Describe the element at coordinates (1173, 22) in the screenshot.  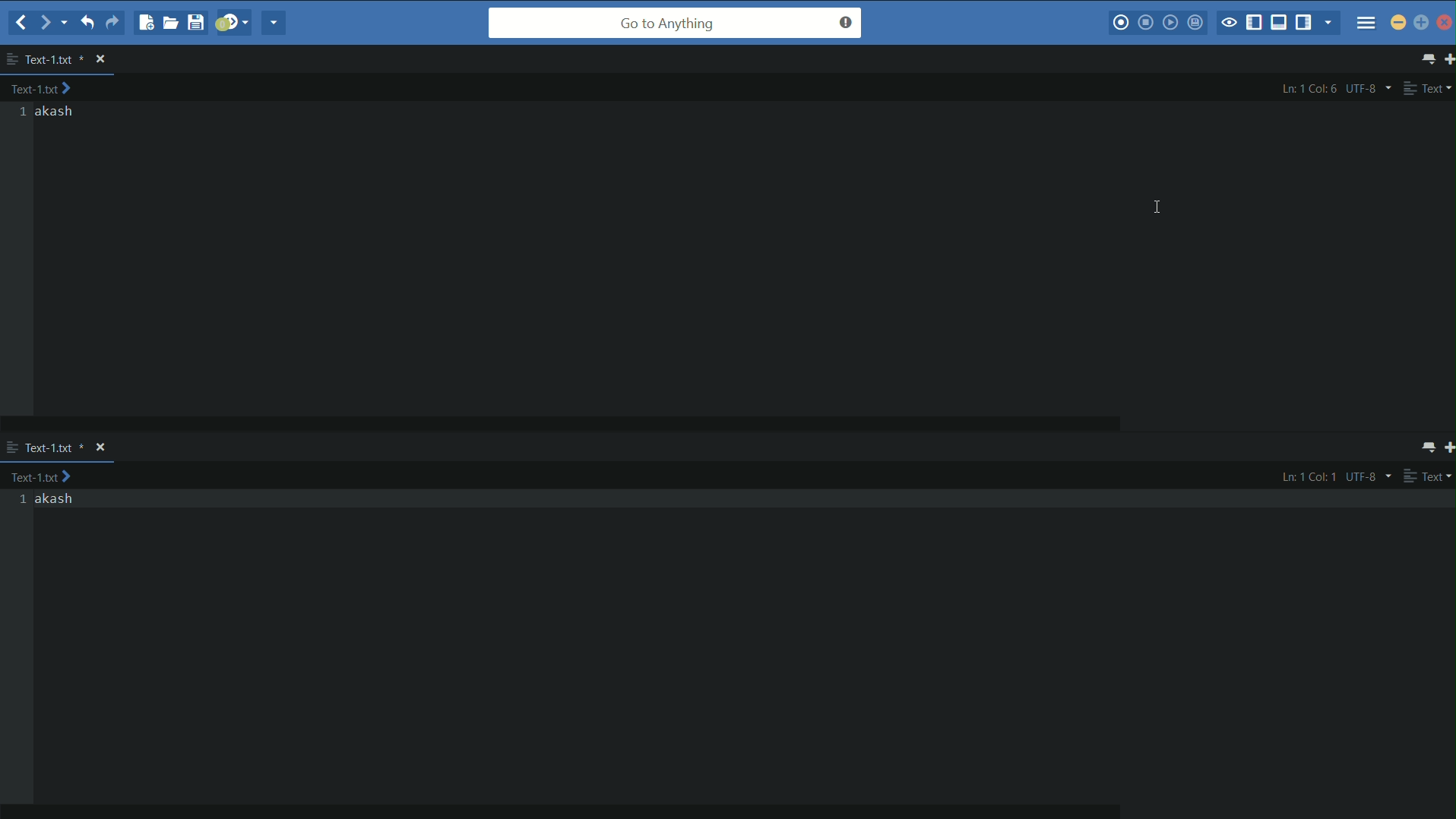
I see `play last macro` at that location.